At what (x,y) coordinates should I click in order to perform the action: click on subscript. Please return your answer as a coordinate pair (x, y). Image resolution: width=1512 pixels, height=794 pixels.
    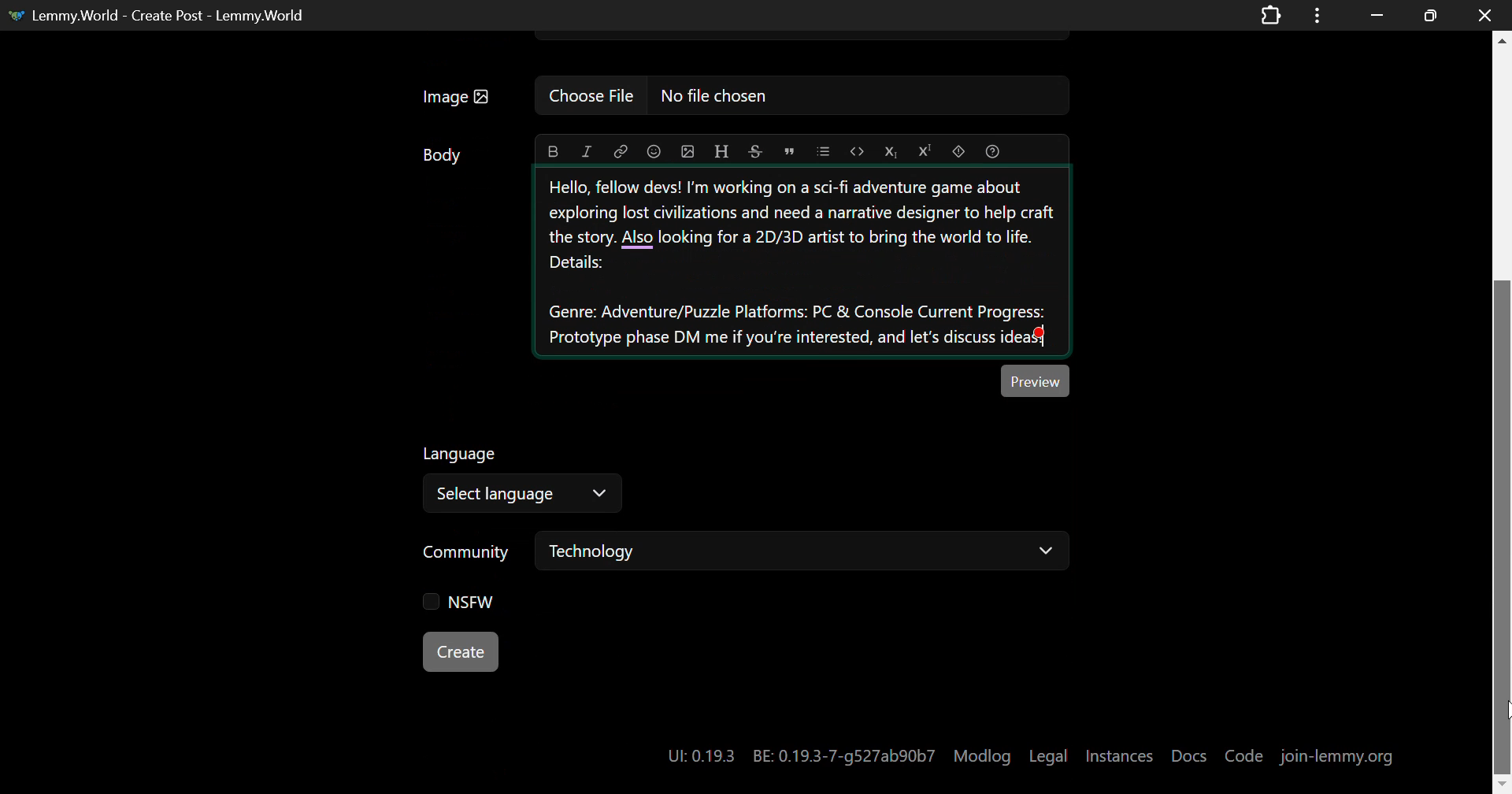
    Looking at the image, I should click on (892, 149).